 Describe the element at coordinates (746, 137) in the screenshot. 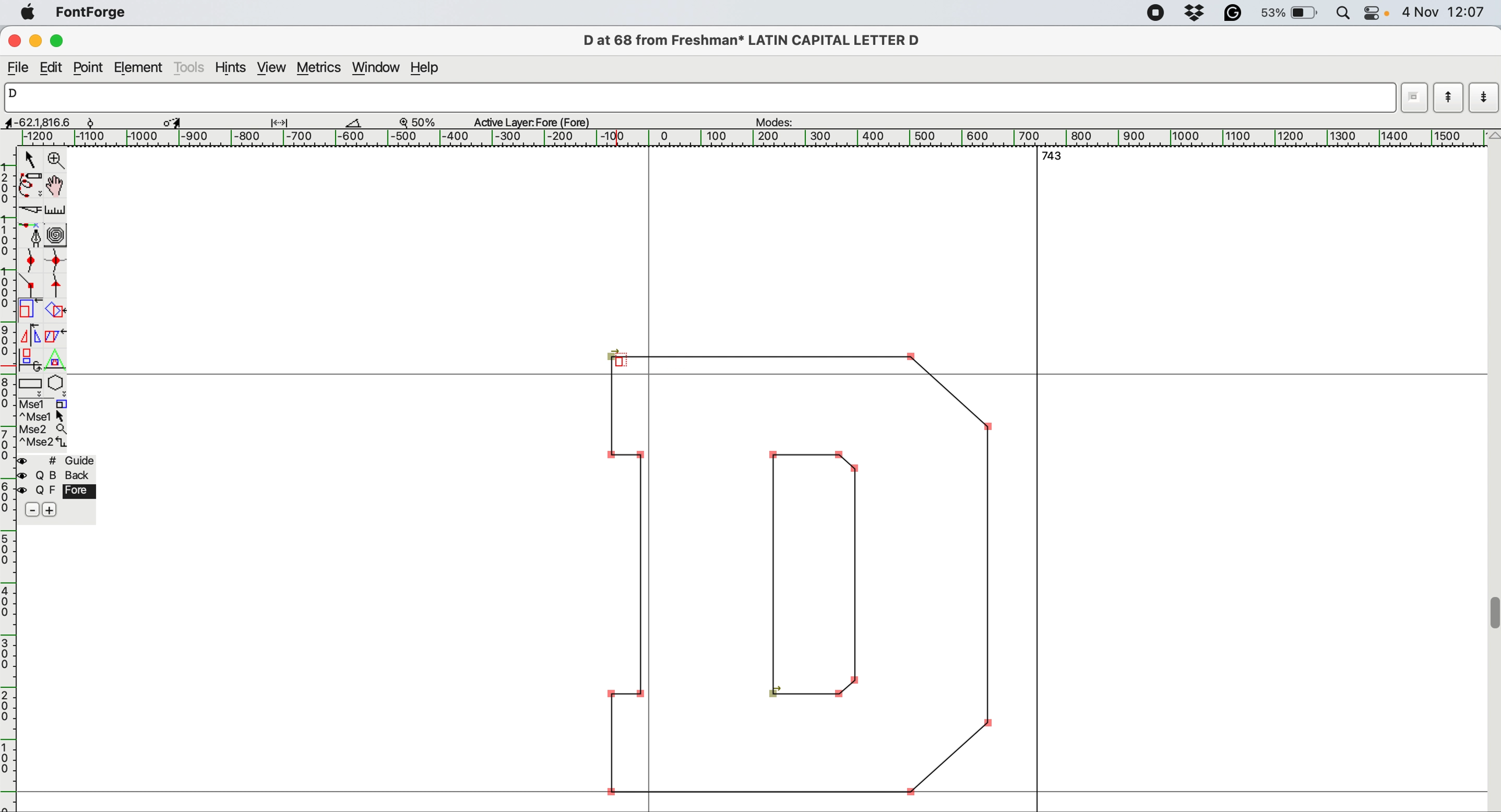

I see `[1200 [1100 [1000 |-900 |-800 [-700 |-600 |-500 [|-400 [-300 |-200 |-100 | O  |100 |200 [300 [400 [500 |600 [700 |800 |900 [1000 [1100 [1200 [1300 [1400 [1500` at that location.